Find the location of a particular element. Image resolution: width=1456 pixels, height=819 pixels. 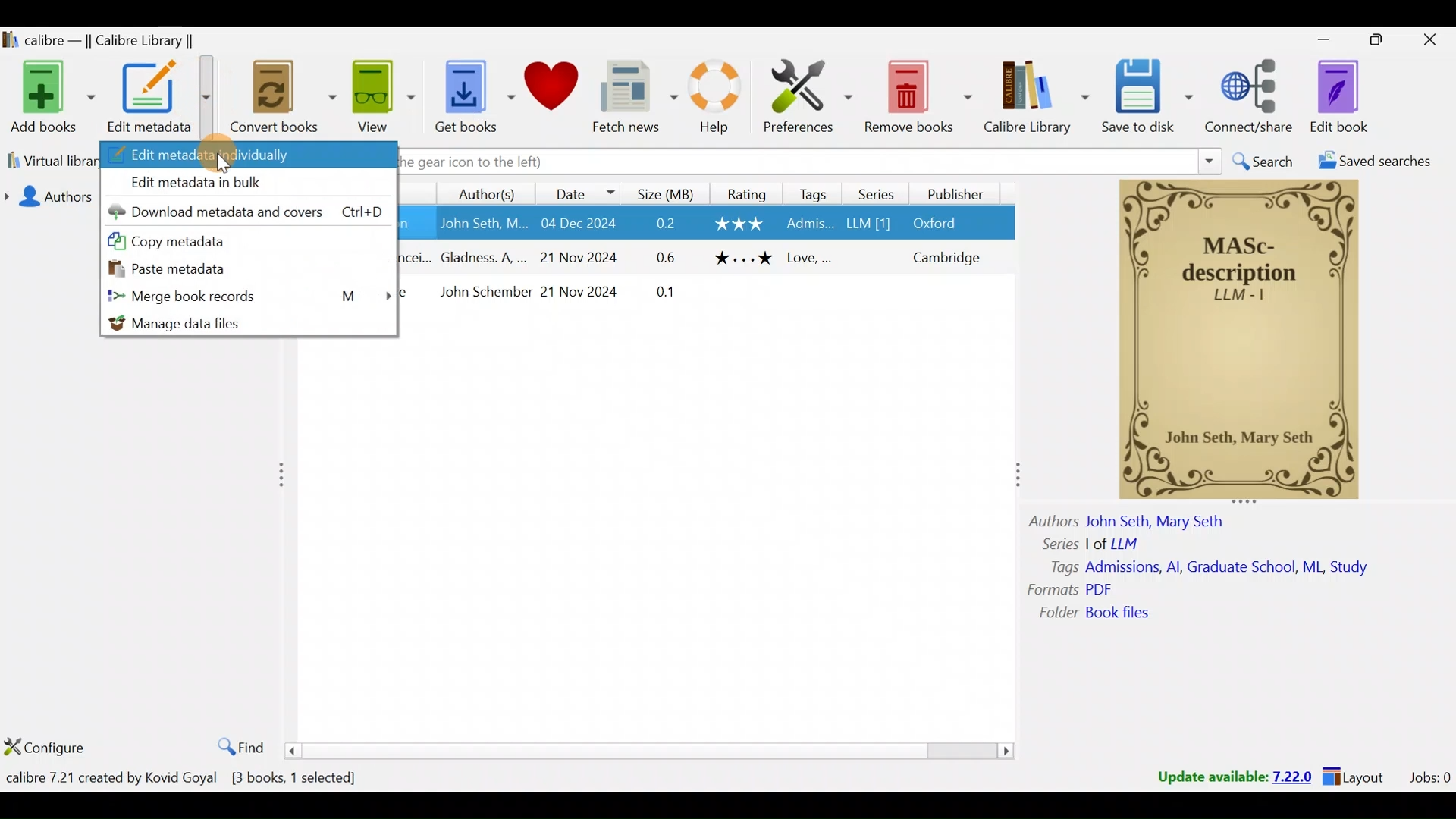

Connect/share is located at coordinates (1250, 97).